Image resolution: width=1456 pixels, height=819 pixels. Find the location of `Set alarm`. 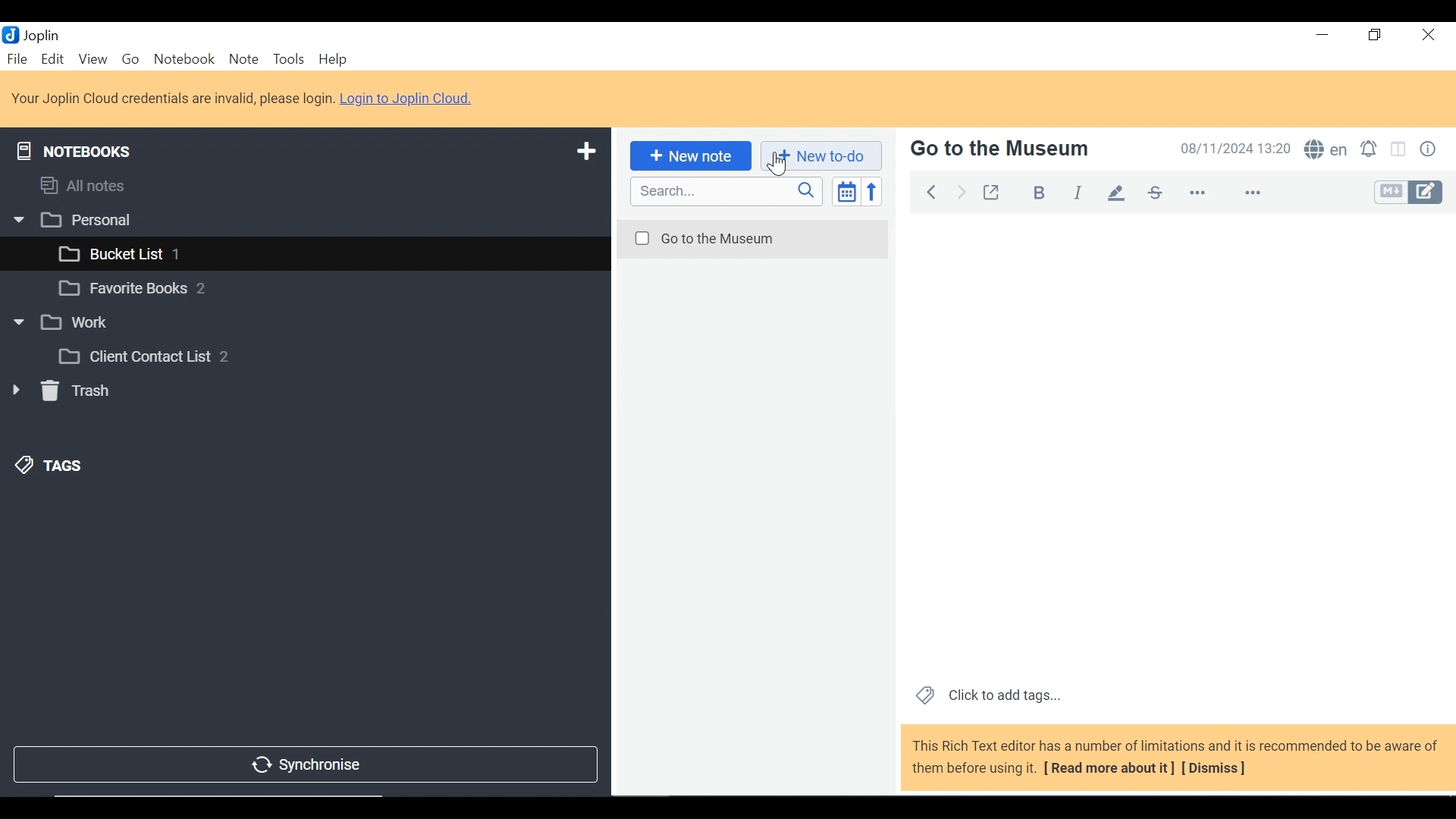

Set alarm is located at coordinates (1372, 150).